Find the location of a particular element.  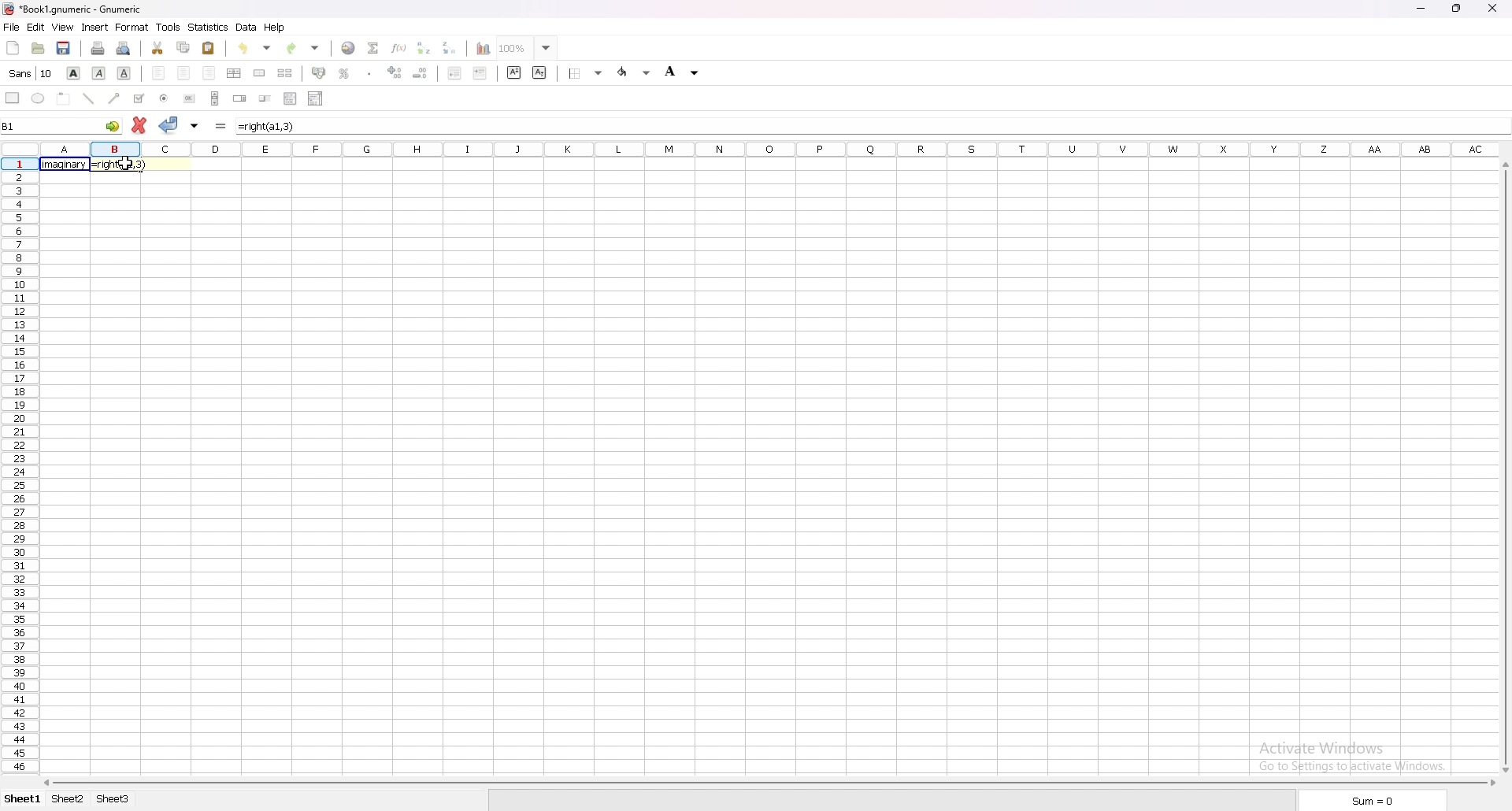

help is located at coordinates (275, 28).